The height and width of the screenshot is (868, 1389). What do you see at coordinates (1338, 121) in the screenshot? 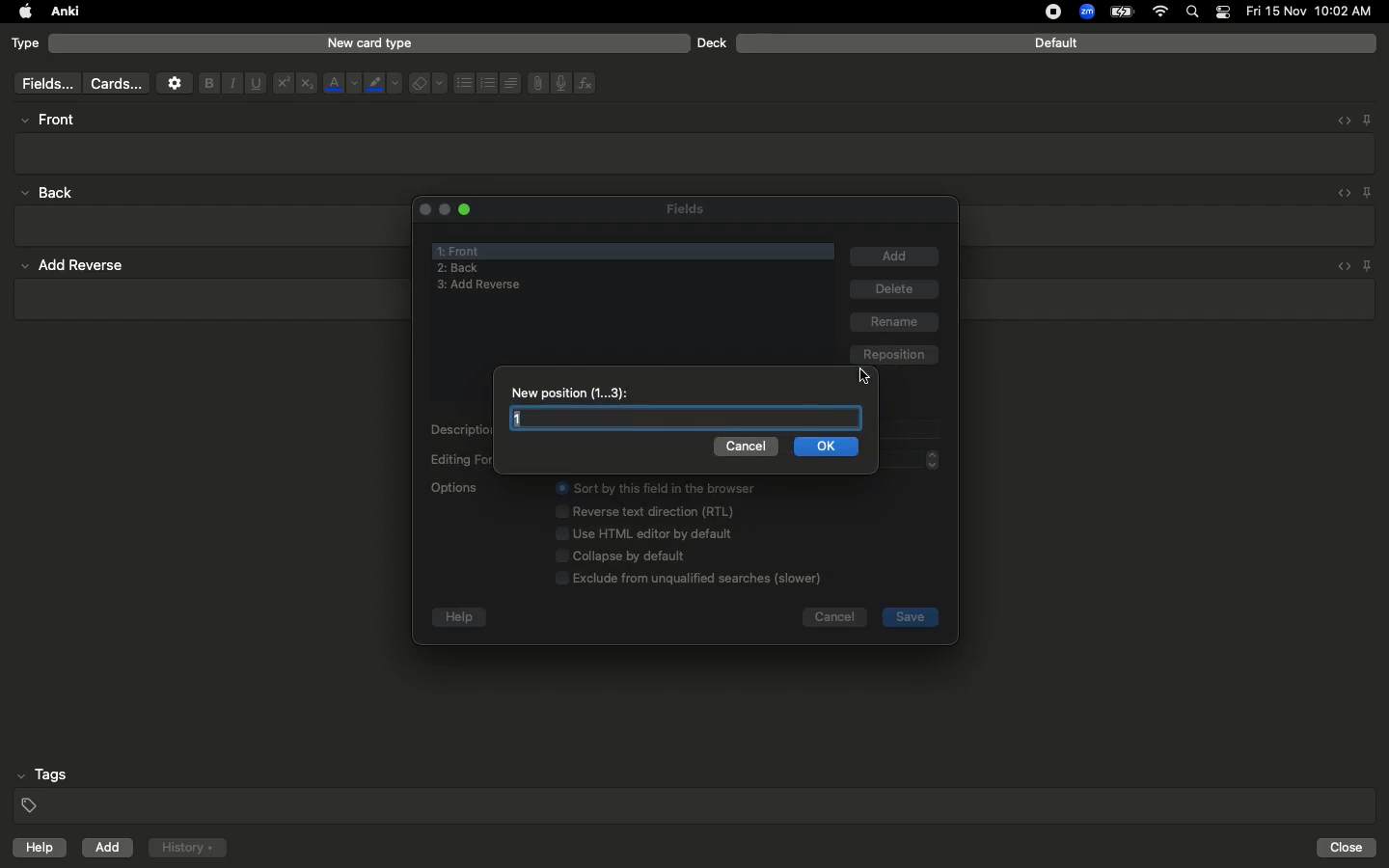
I see `Embed` at bounding box center [1338, 121].